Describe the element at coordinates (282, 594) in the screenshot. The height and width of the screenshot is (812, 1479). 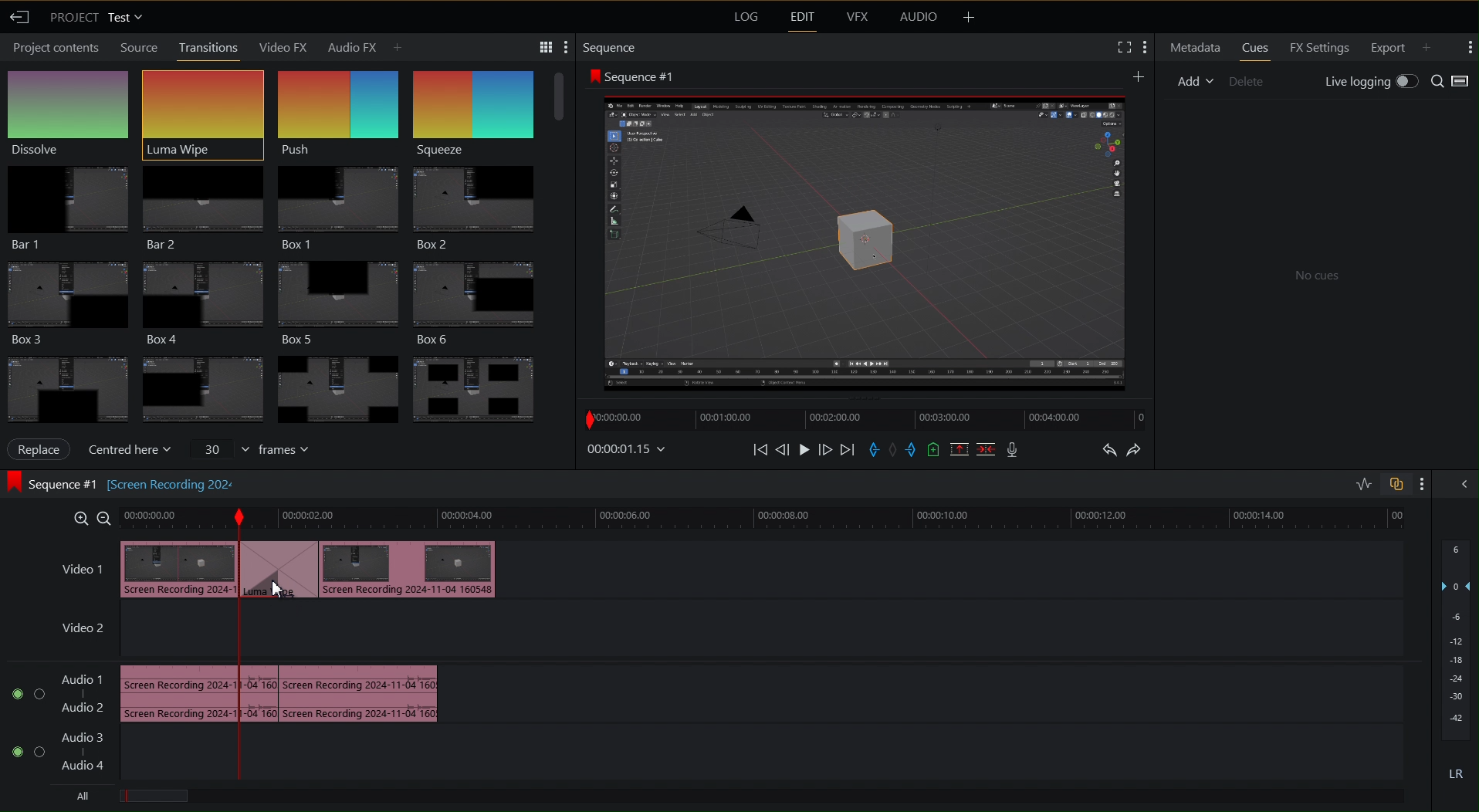
I see `Cursor` at that location.